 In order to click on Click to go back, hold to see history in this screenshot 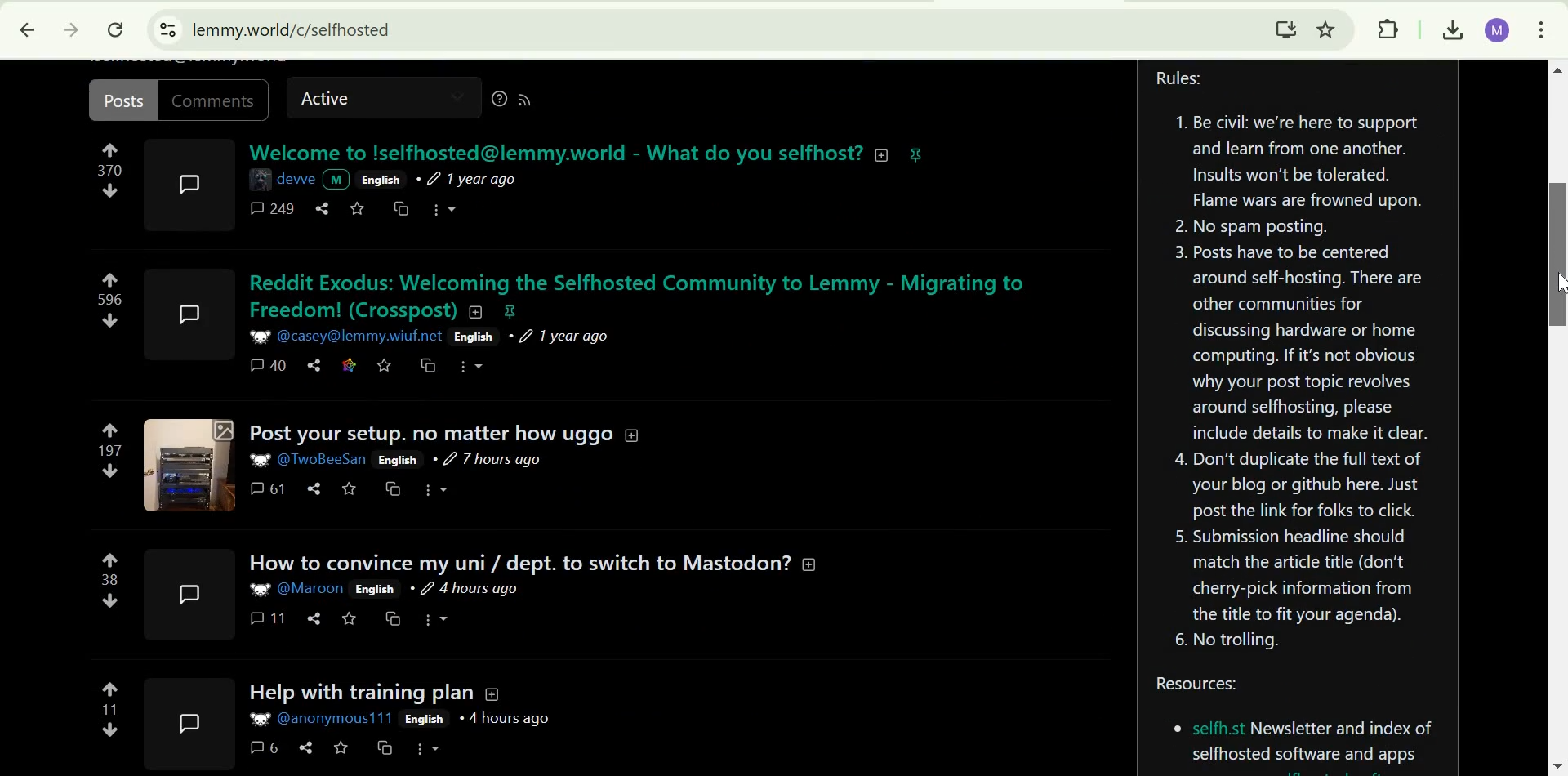, I will do `click(28, 29)`.